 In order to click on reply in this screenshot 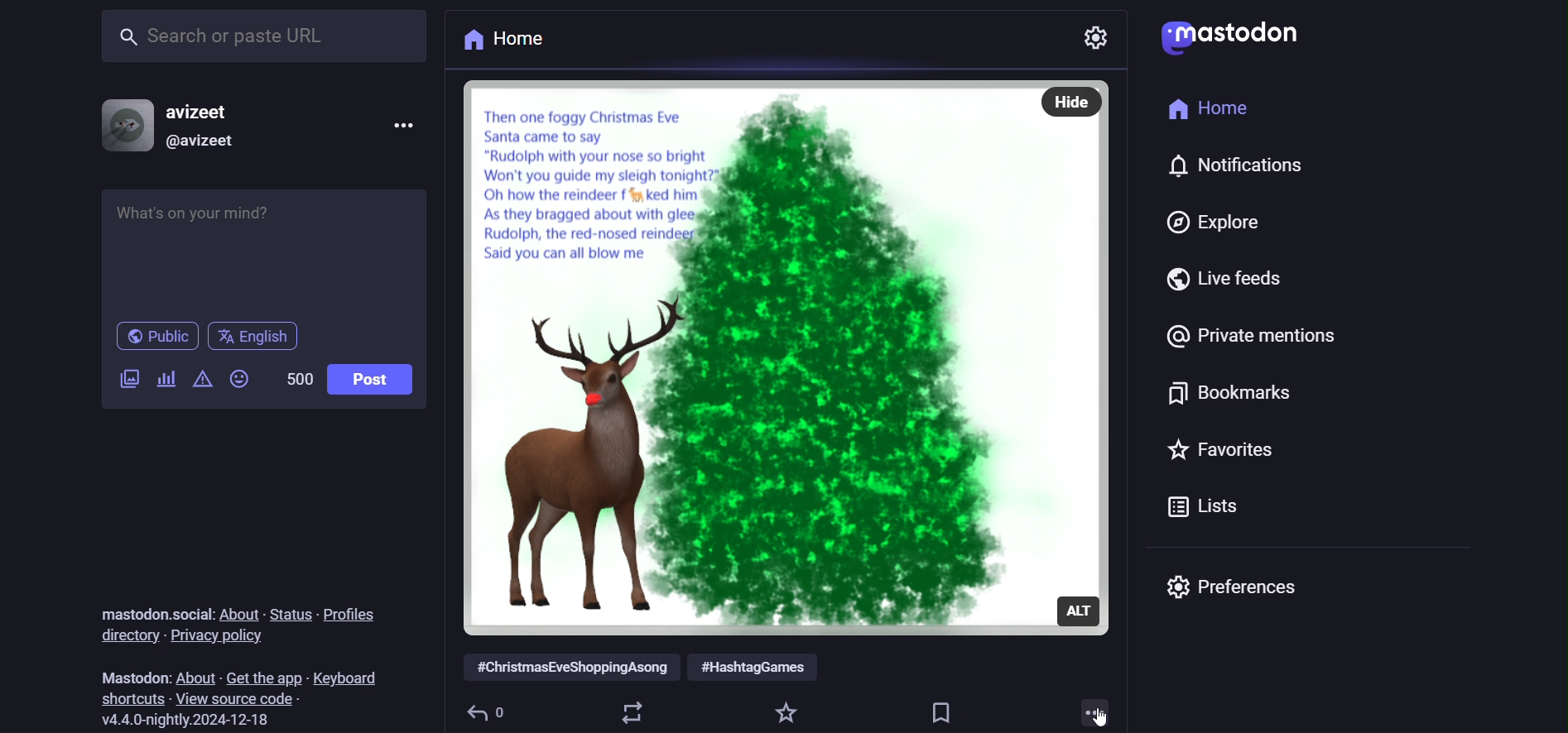, I will do `click(485, 712)`.